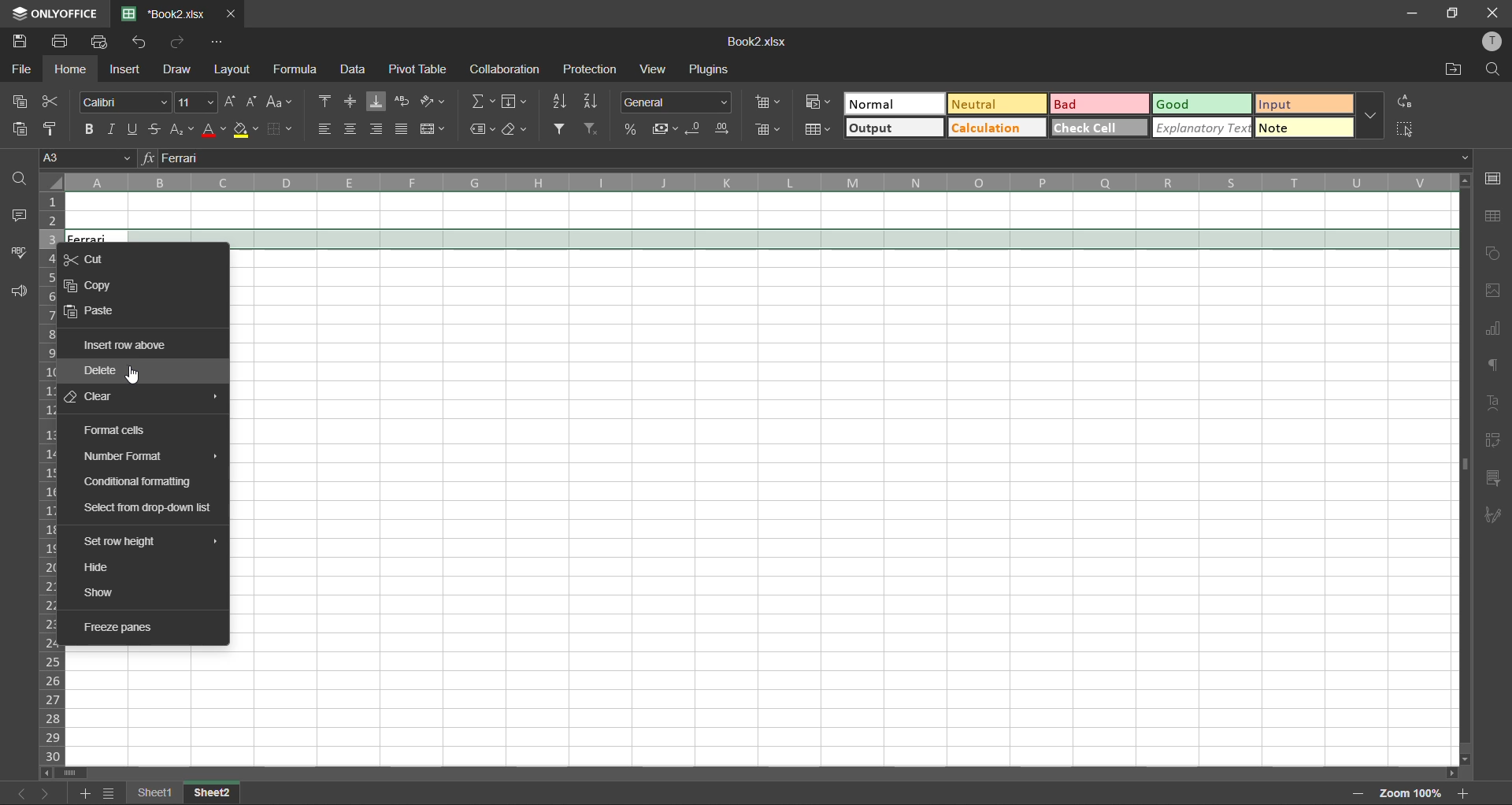 Image resolution: width=1512 pixels, height=805 pixels. I want to click on Book2.xlsx, so click(764, 42).